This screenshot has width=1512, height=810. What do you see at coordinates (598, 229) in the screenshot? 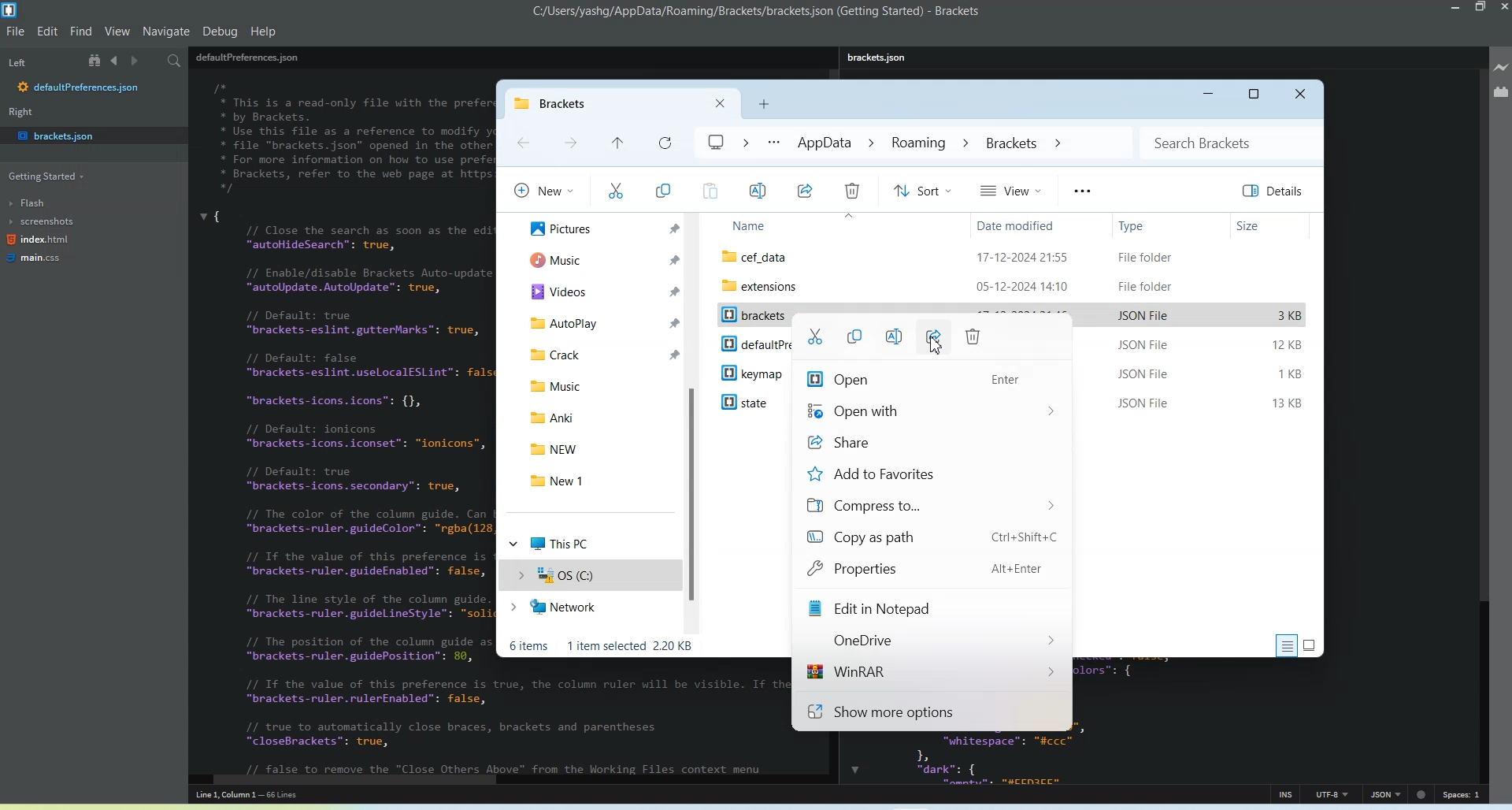
I see `Pictures` at bounding box center [598, 229].